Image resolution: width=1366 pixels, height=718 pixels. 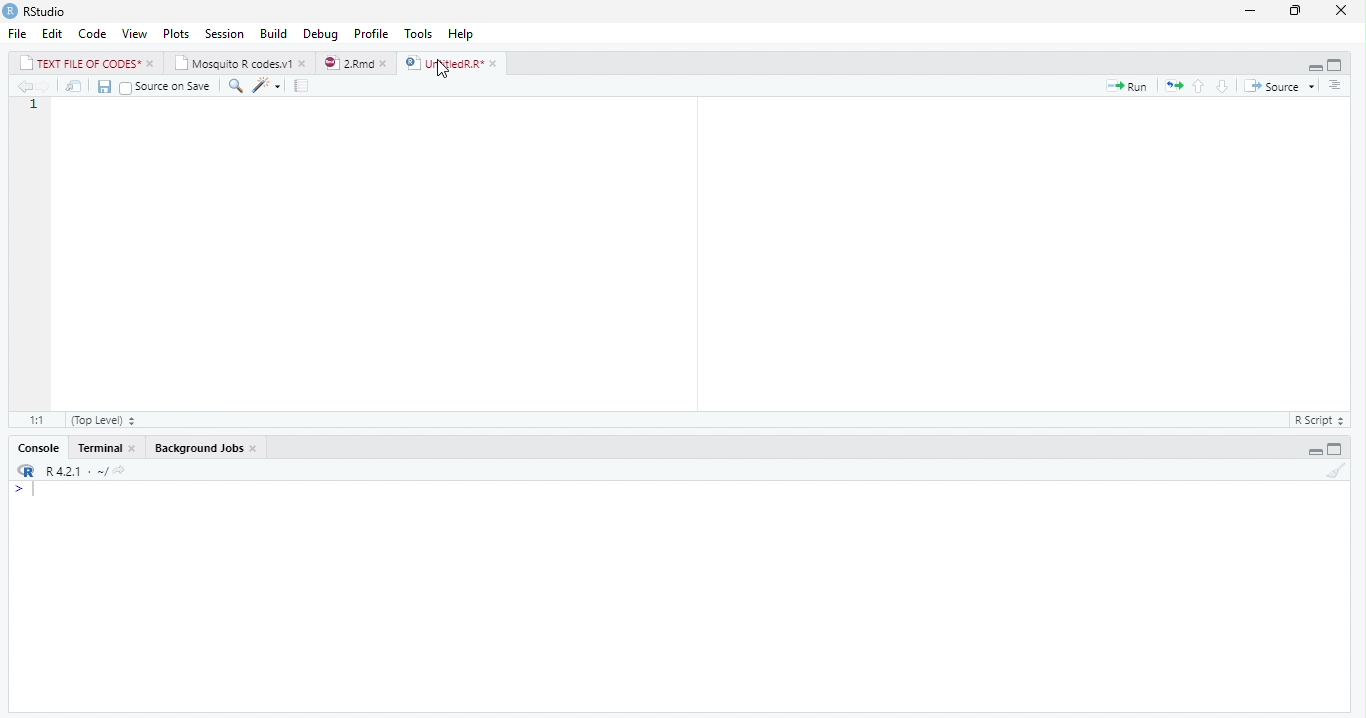 What do you see at coordinates (1171, 87) in the screenshot?
I see `re-run the previous code region` at bounding box center [1171, 87].